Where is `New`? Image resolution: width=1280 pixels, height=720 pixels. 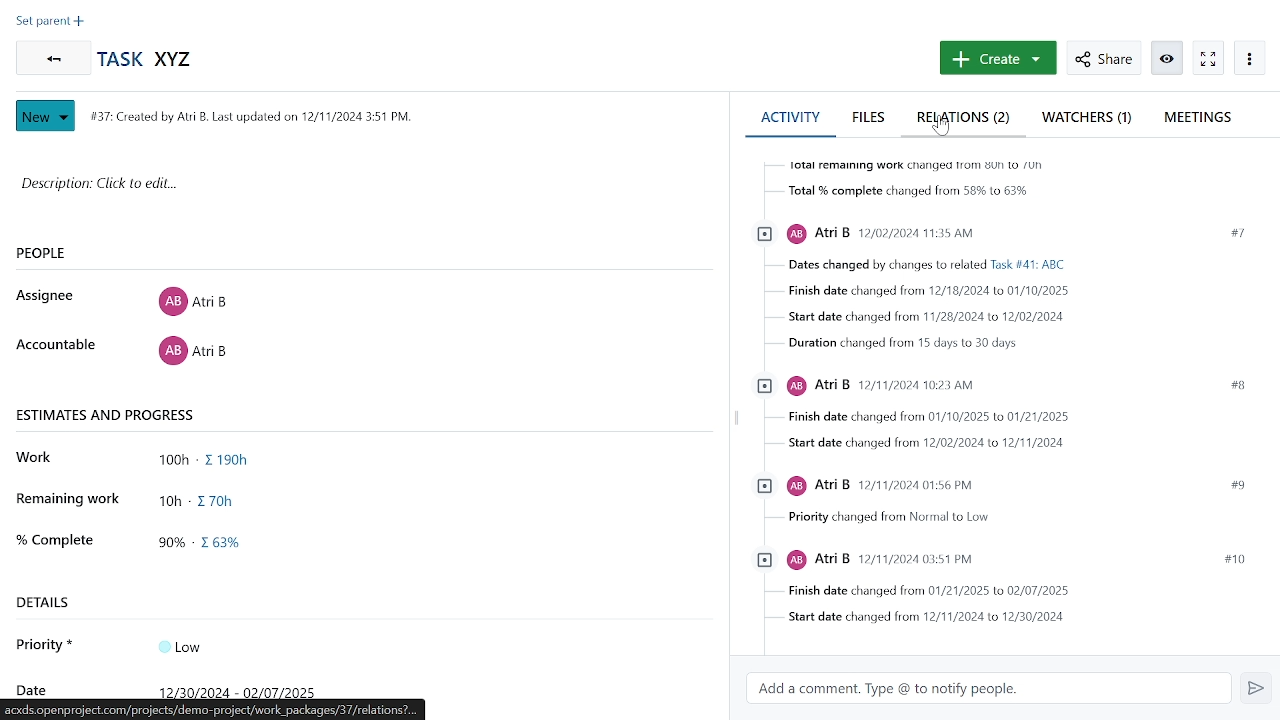 New is located at coordinates (48, 116).